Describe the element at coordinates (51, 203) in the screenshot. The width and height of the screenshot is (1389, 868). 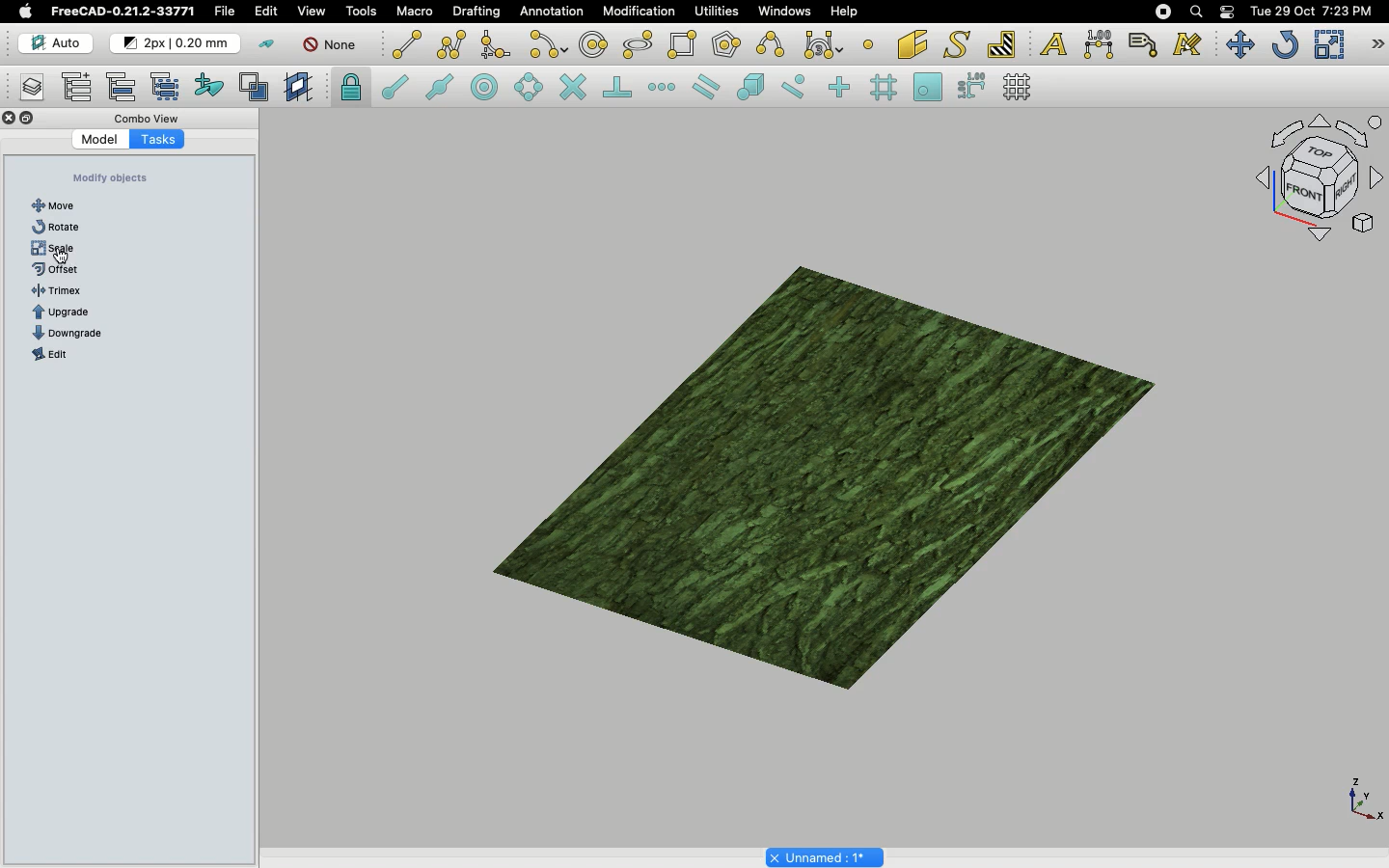
I see `Line` at that location.